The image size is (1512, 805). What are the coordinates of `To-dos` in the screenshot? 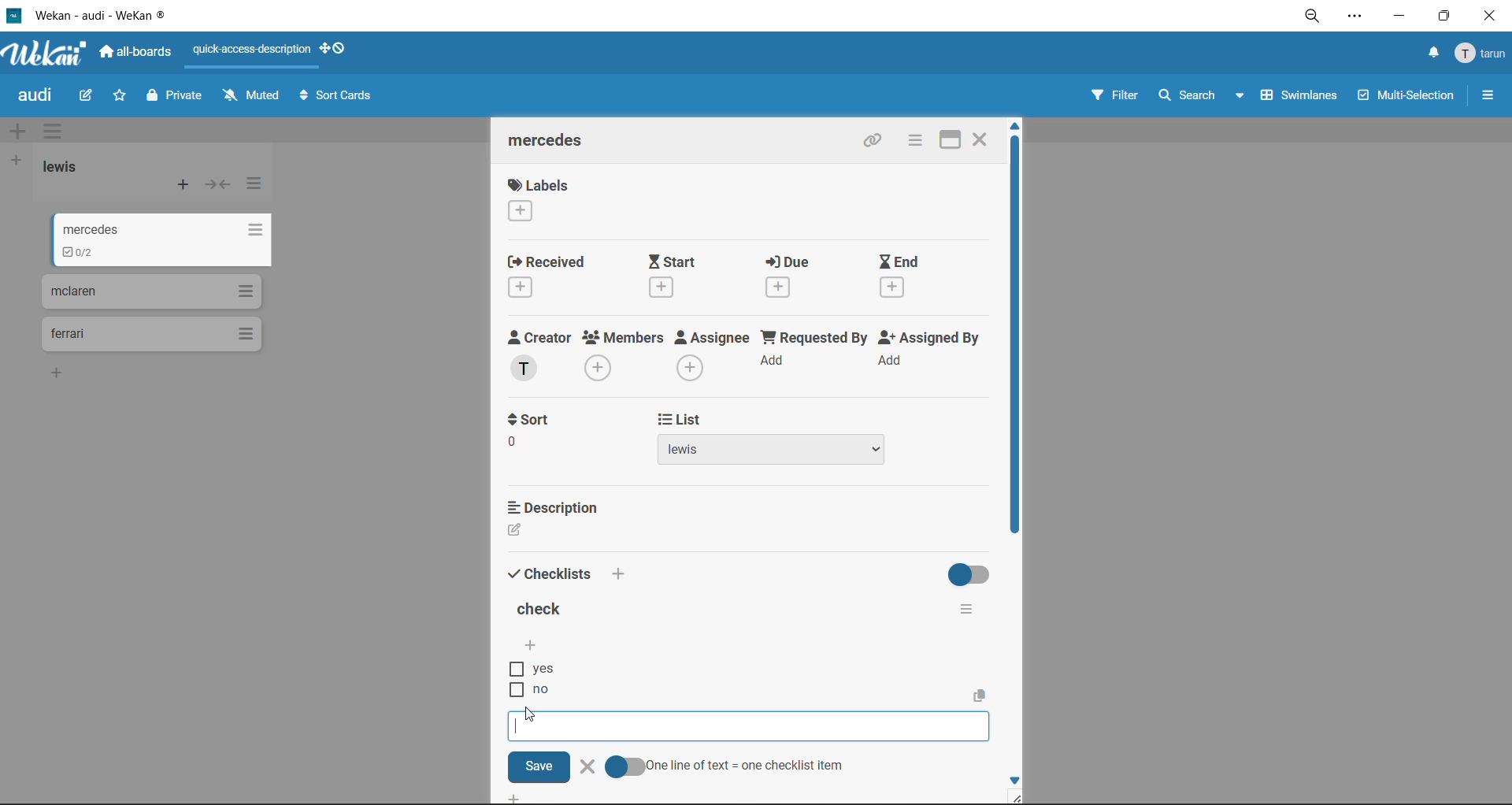 It's located at (82, 252).